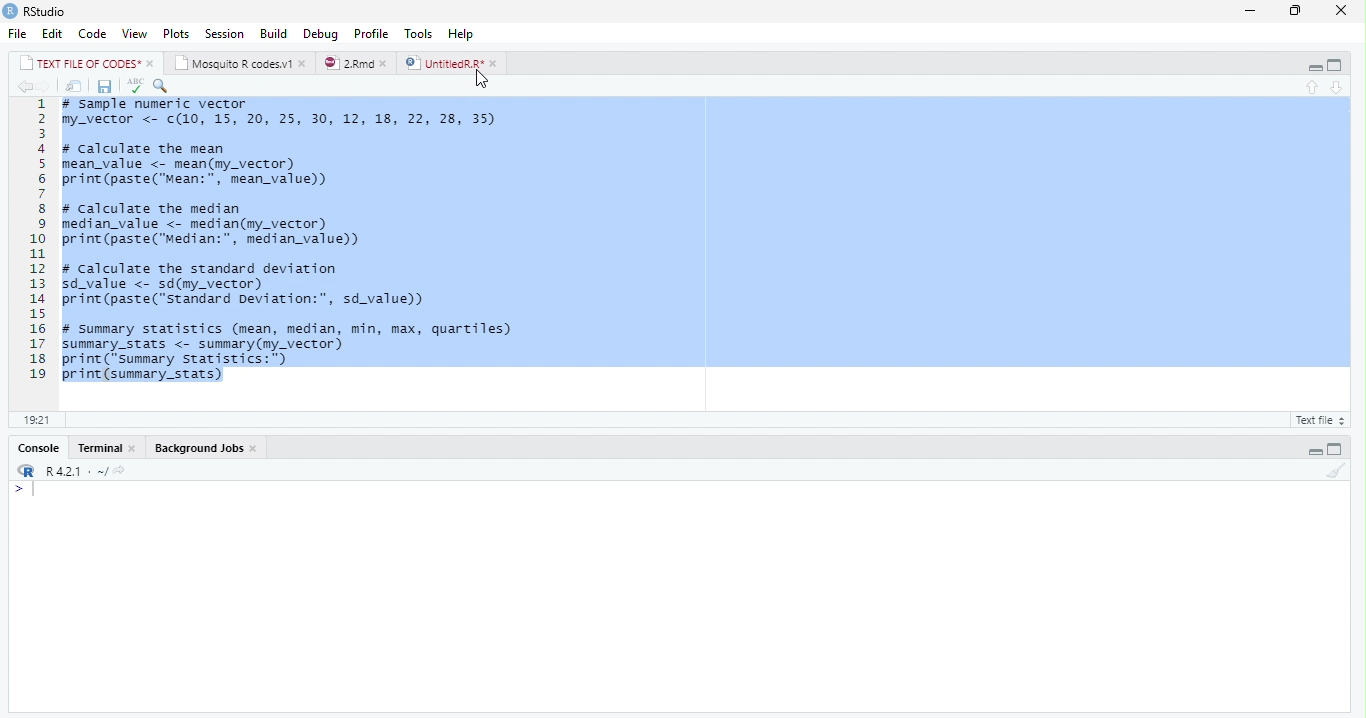 The image size is (1366, 718). What do you see at coordinates (1346, 10) in the screenshot?
I see `close` at bounding box center [1346, 10].